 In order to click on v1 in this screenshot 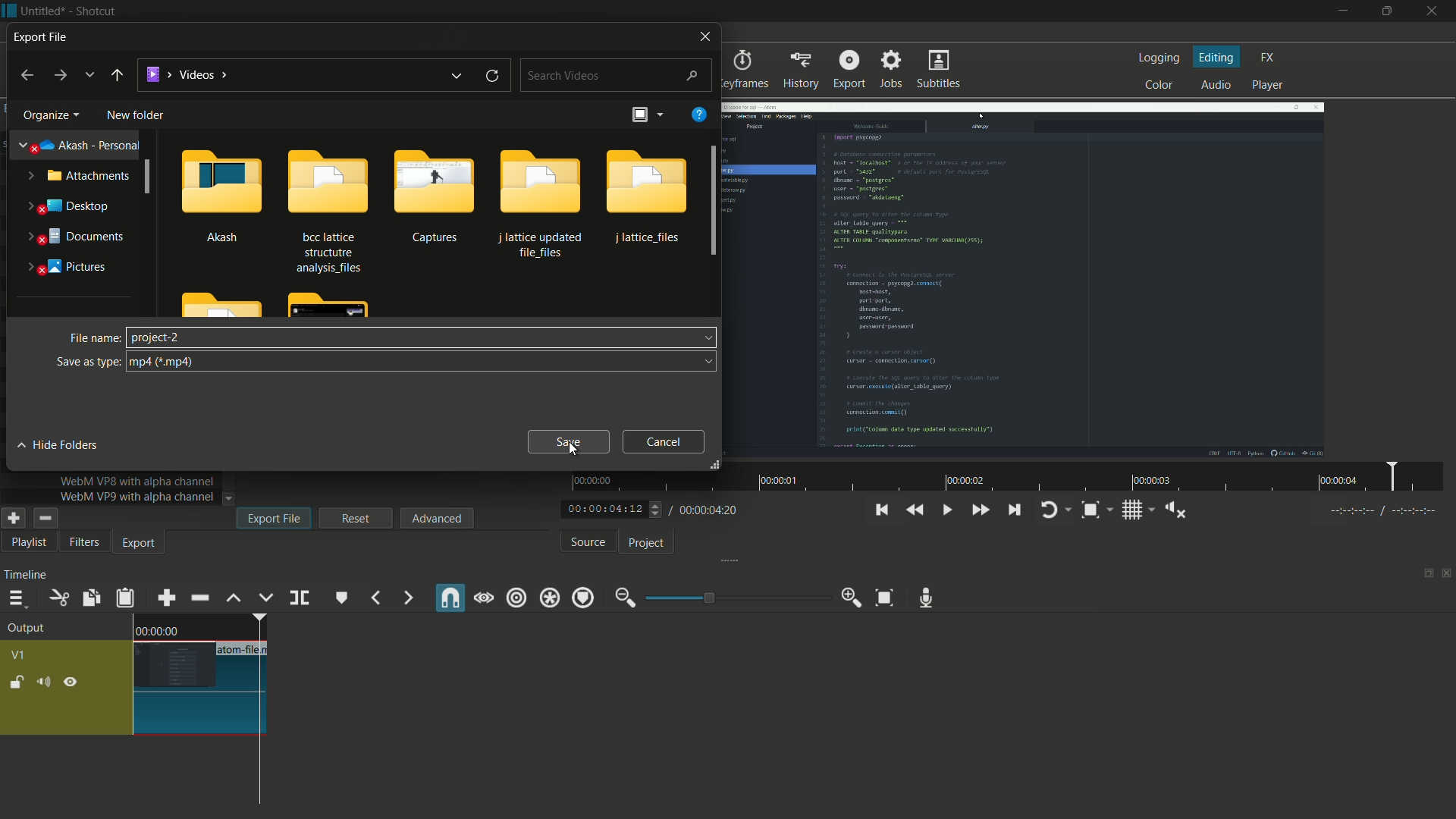, I will do `click(17, 654)`.